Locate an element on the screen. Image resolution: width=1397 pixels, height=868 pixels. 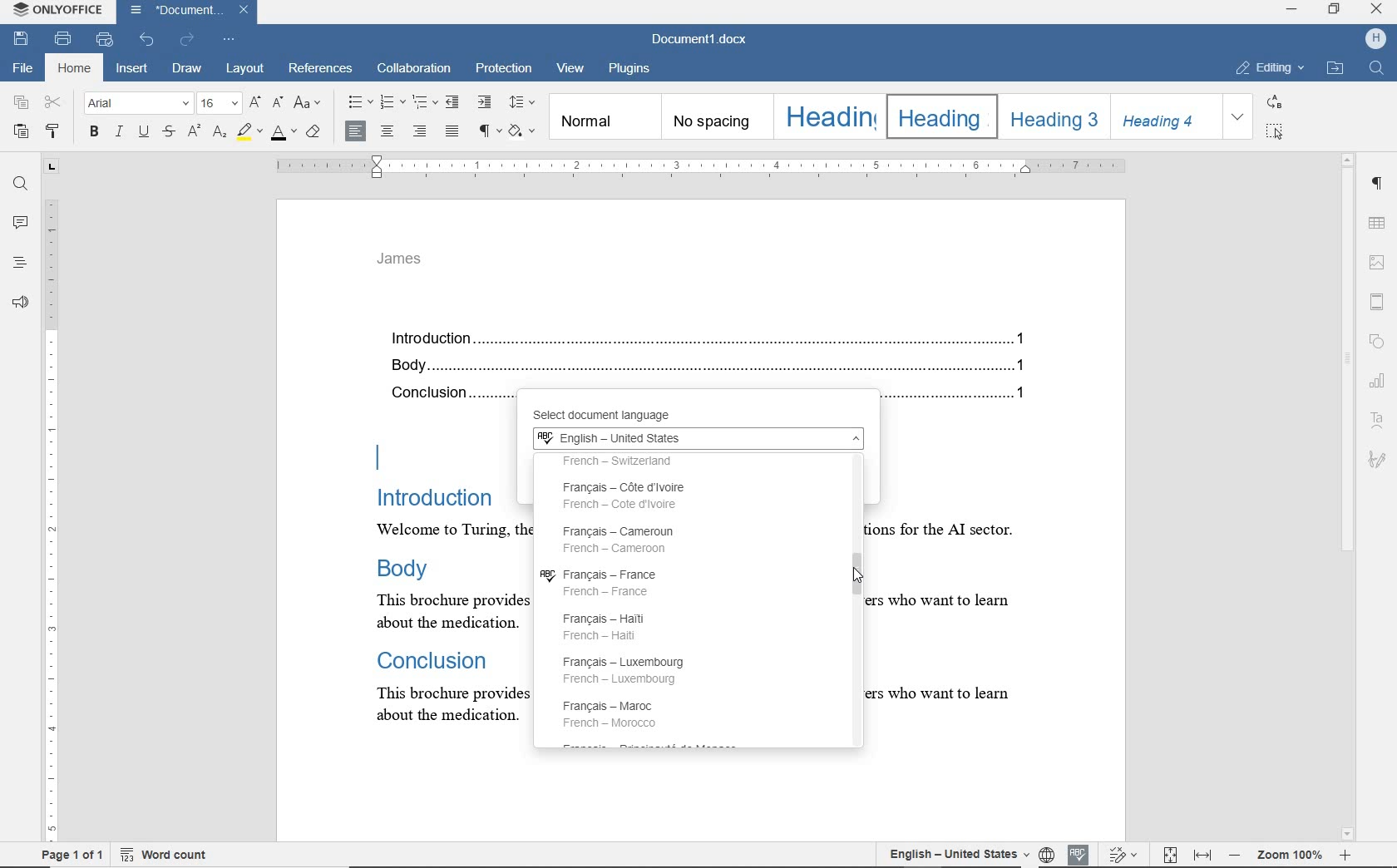
strikethrough is located at coordinates (169, 133).